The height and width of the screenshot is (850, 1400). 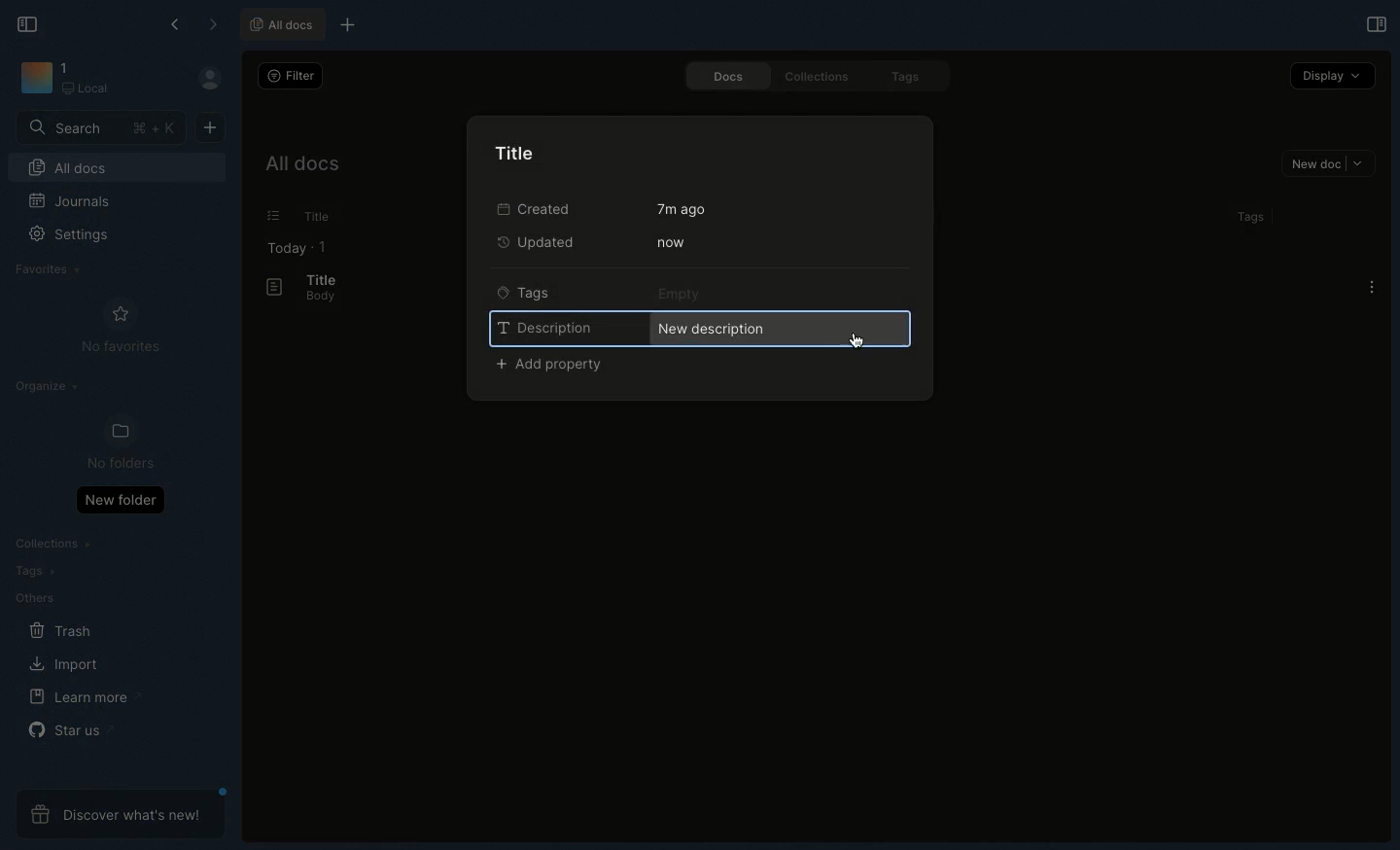 I want to click on All docs, so click(x=117, y=170).